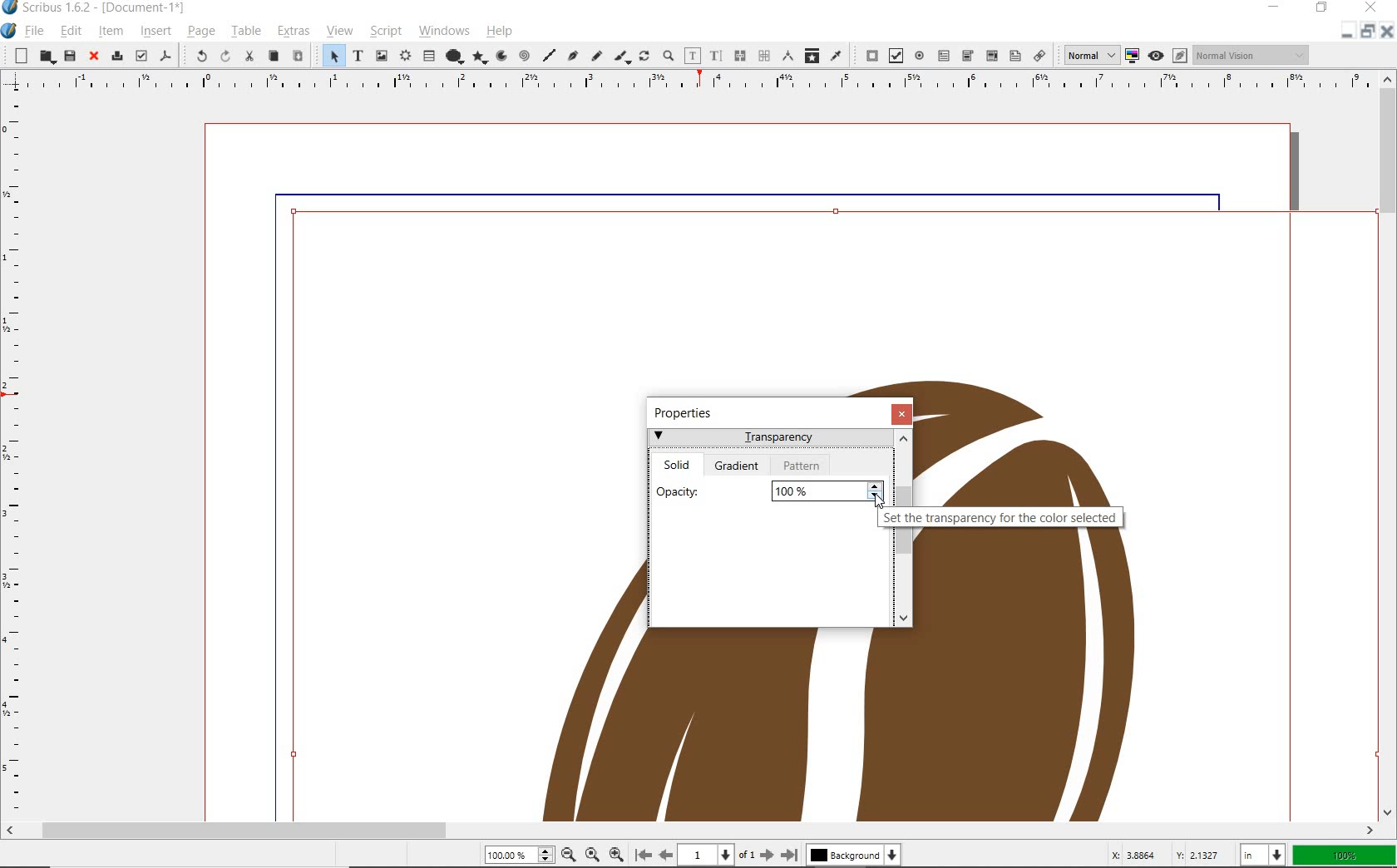  What do you see at coordinates (1348, 30) in the screenshot?
I see `restore down` at bounding box center [1348, 30].